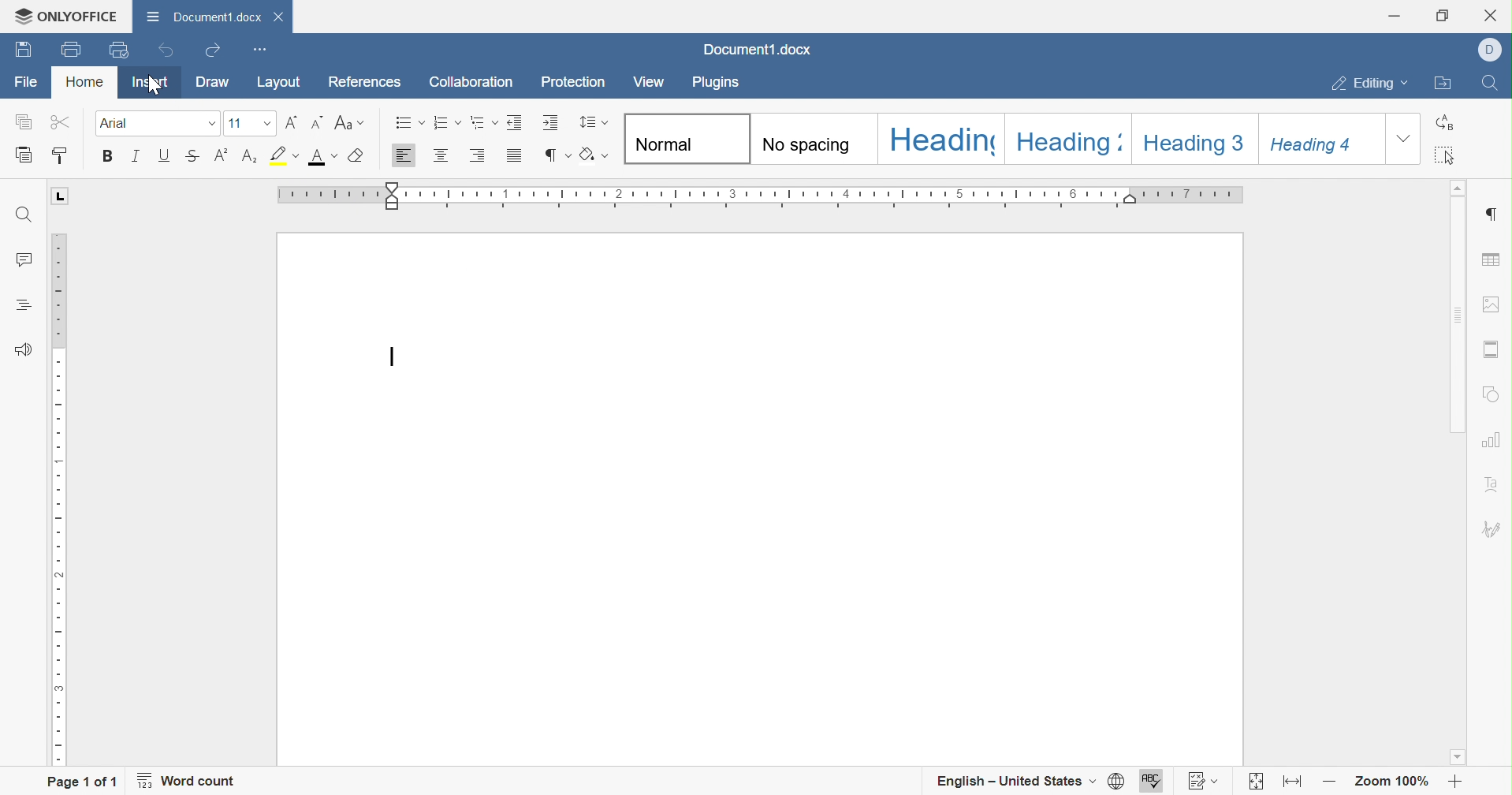 The image size is (1512, 795). Describe the element at coordinates (292, 122) in the screenshot. I see `Increment font size` at that location.